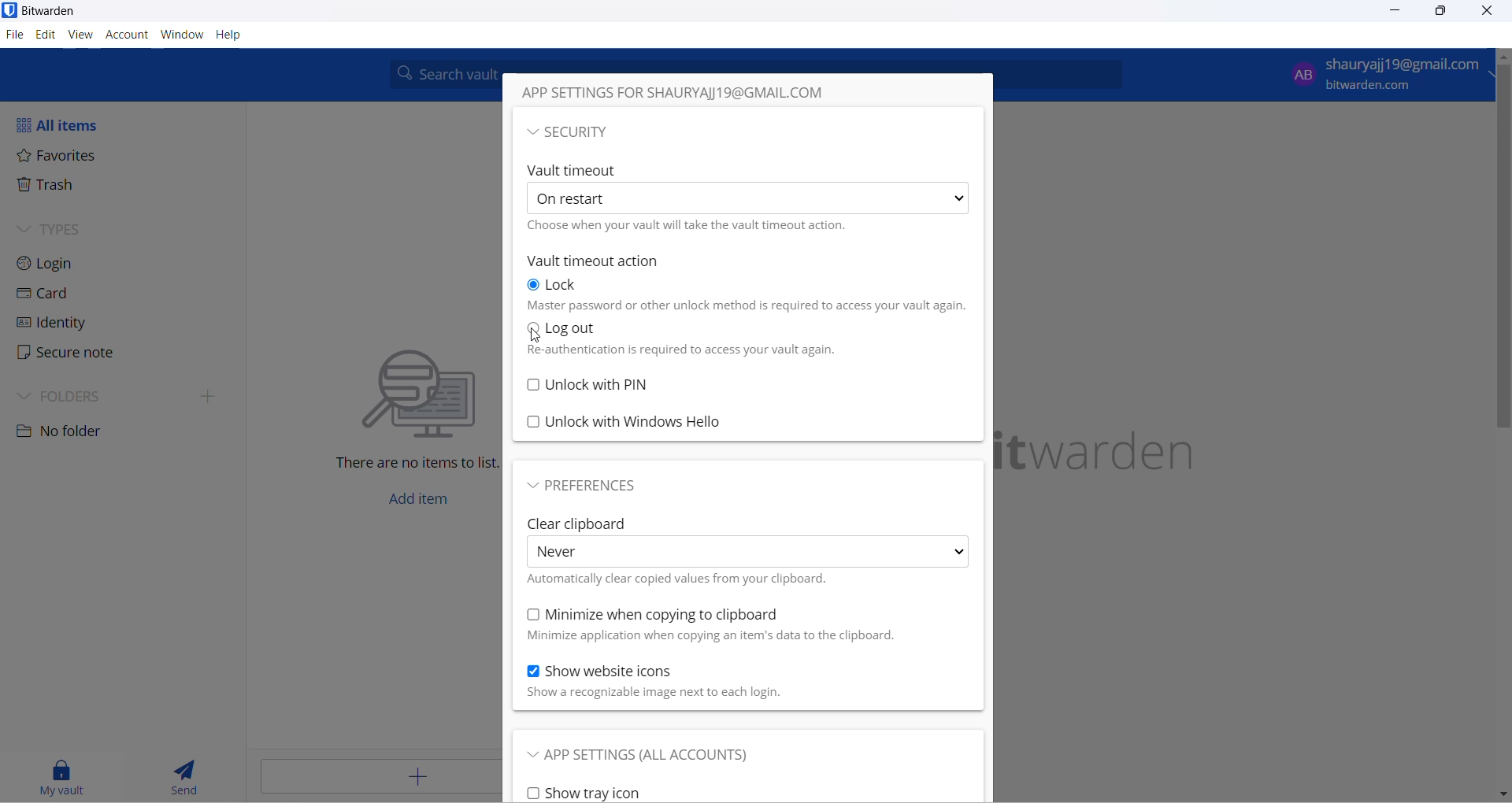 The height and width of the screenshot is (803, 1512). Describe the element at coordinates (1503, 794) in the screenshot. I see `move down` at that location.